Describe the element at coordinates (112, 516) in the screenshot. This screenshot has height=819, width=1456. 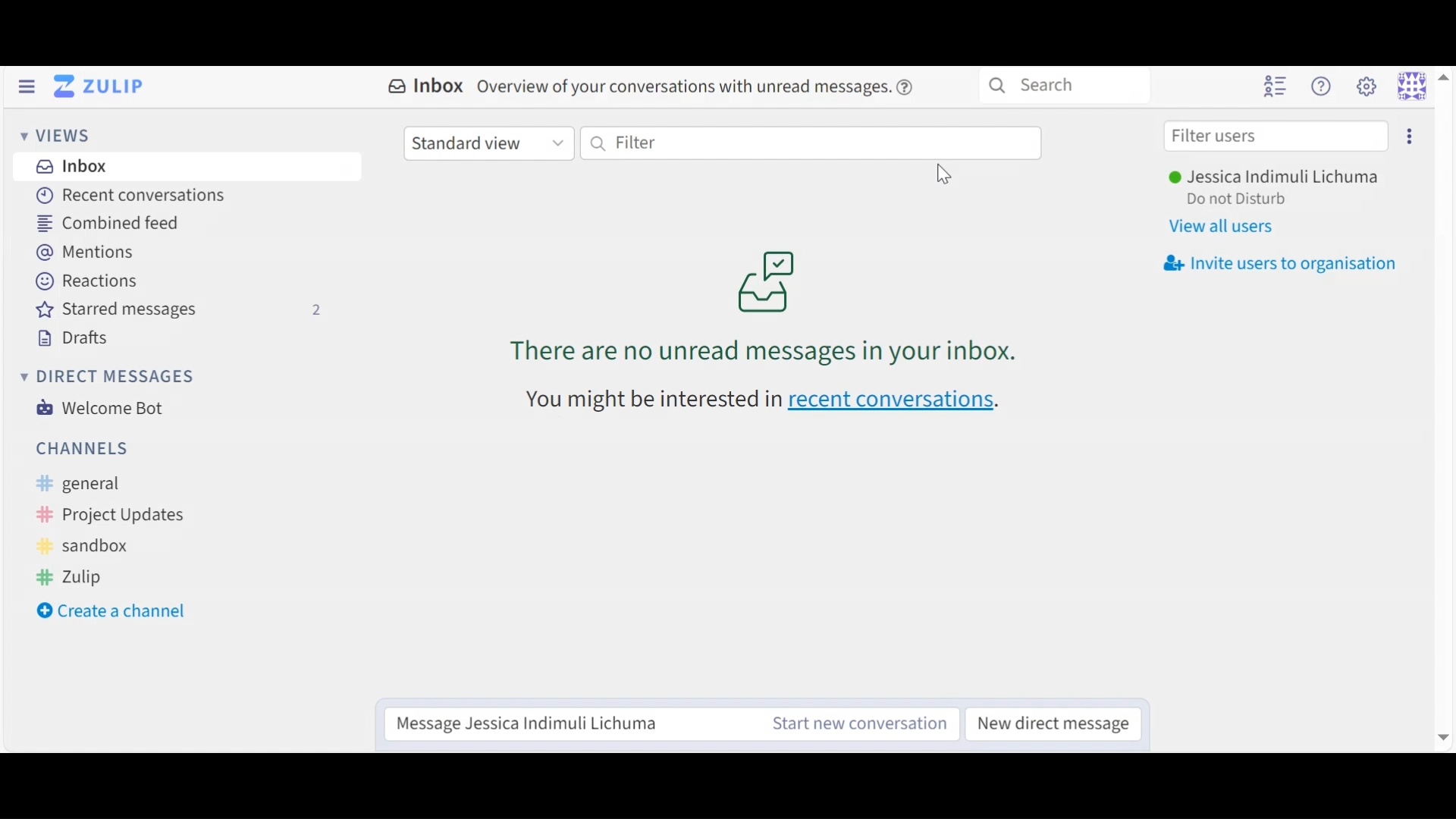
I see `project updates` at that location.